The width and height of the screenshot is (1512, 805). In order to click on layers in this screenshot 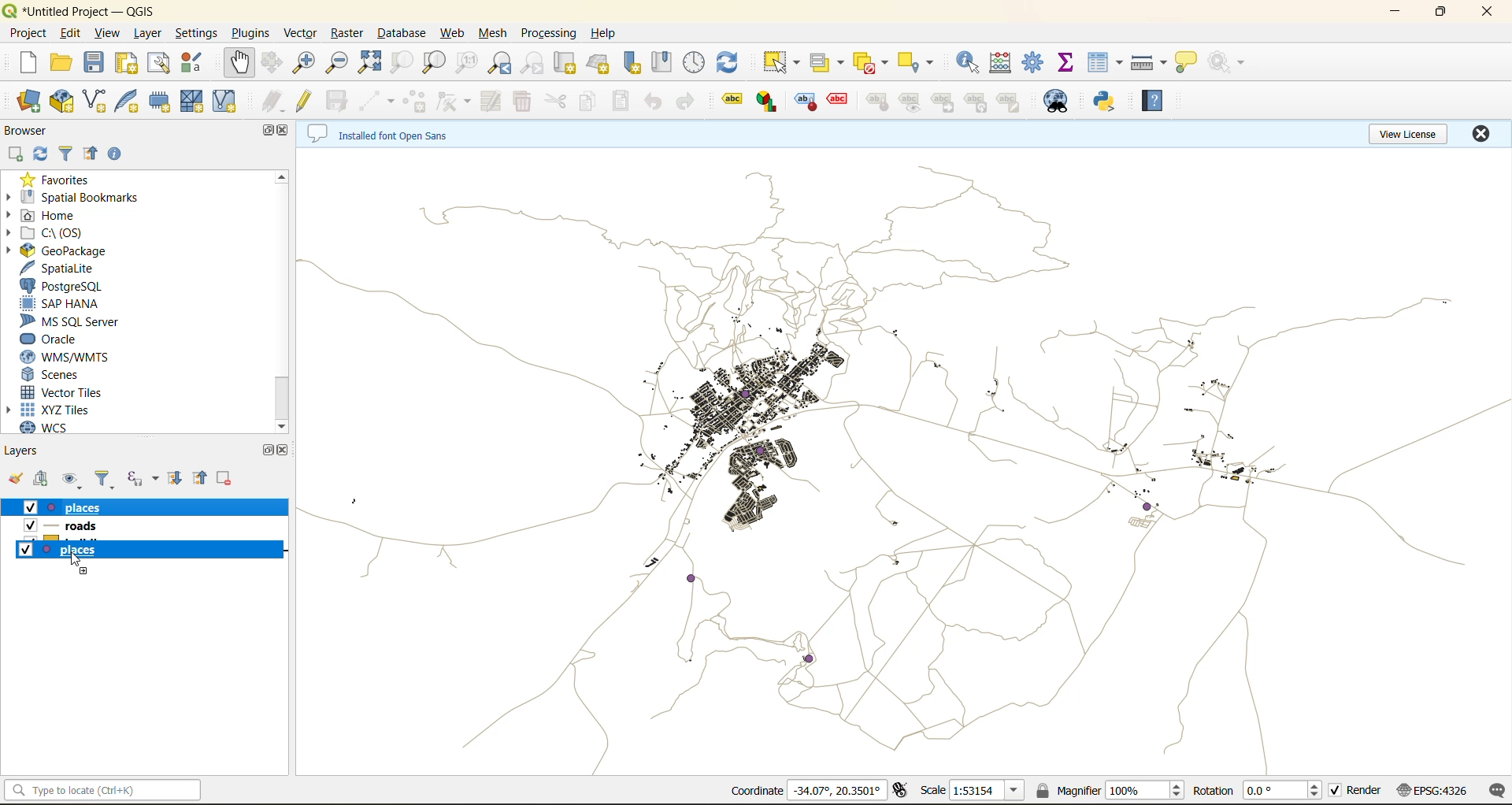, I will do `click(901, 457)`.